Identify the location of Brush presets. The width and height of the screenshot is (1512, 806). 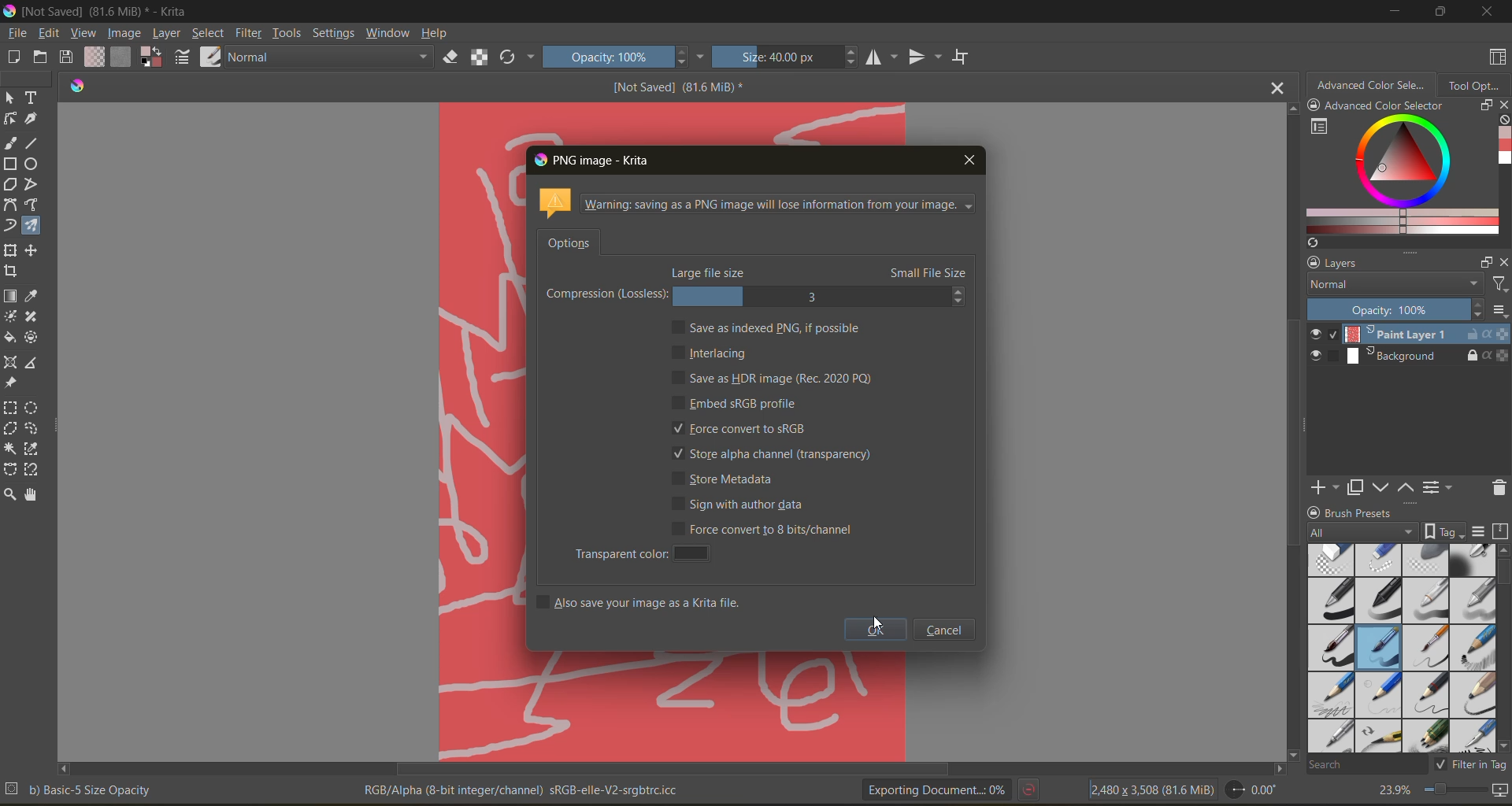
(1366, 511).